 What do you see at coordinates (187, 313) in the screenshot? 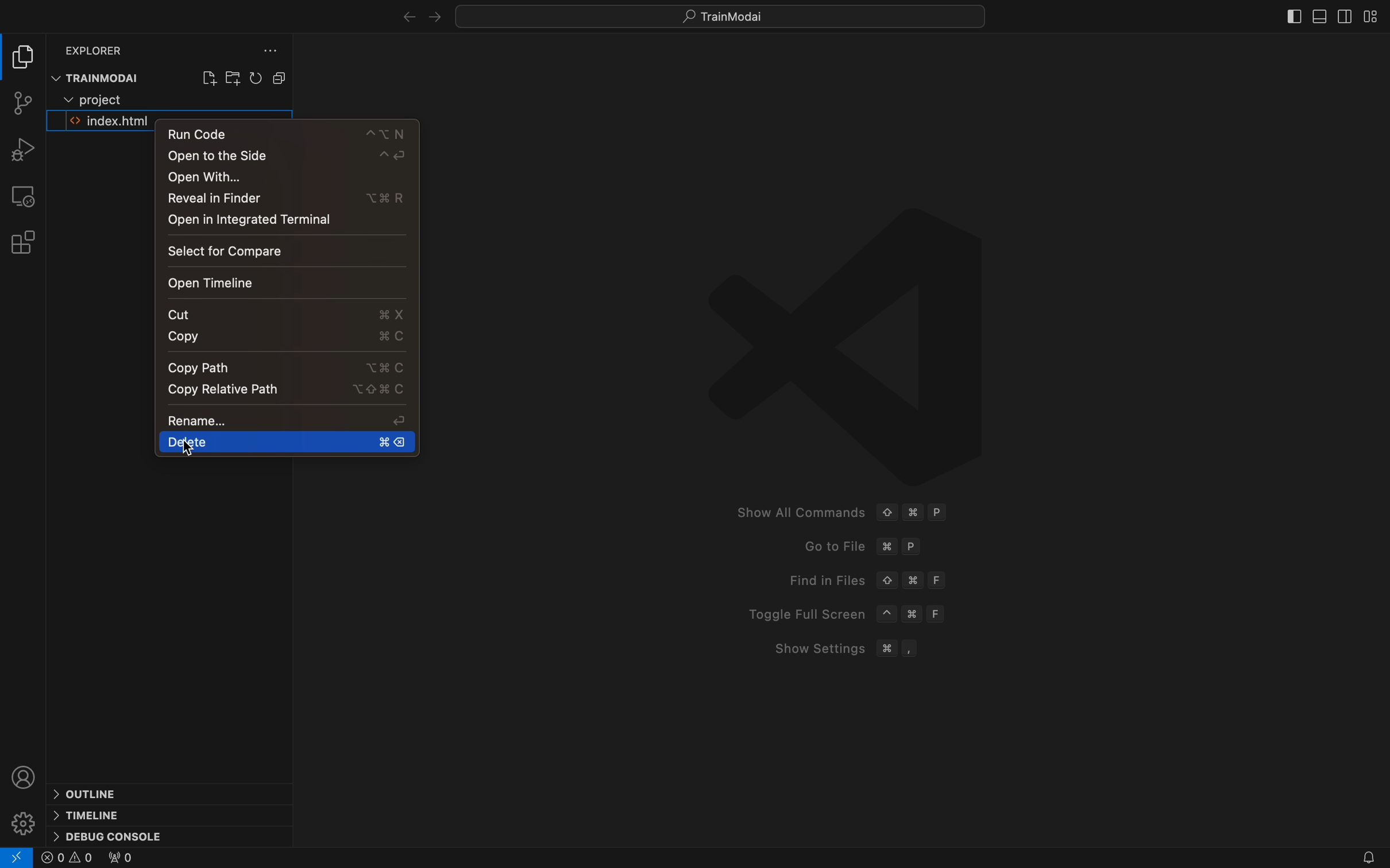
I see `cut` at bounding box center [187, 313].